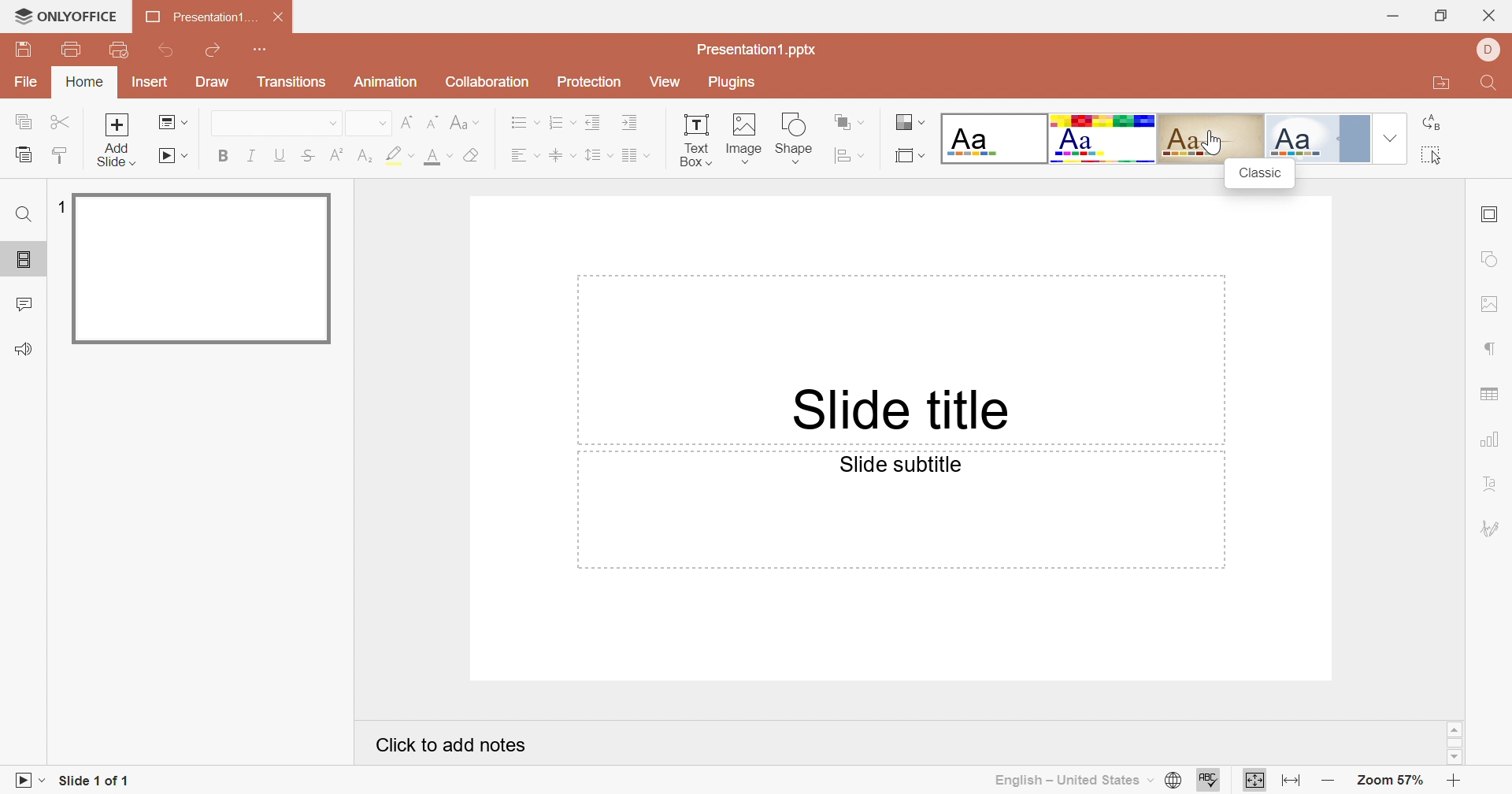 This screenshot has width=1512, height=794. Describe the element at coordinates (924, 122) in the screenshot. I see `Drop Down` at that location.